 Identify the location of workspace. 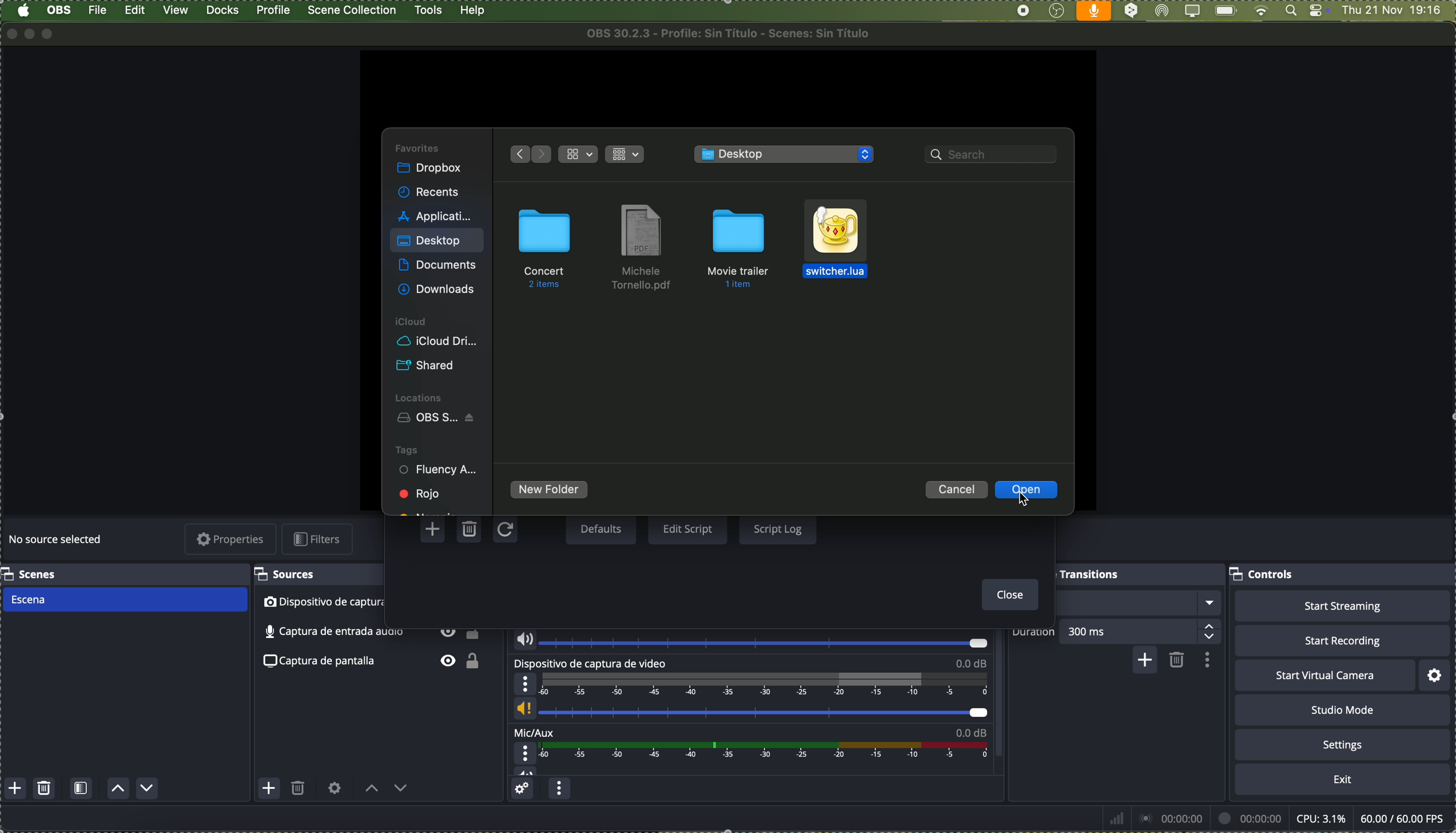
(726, 88).